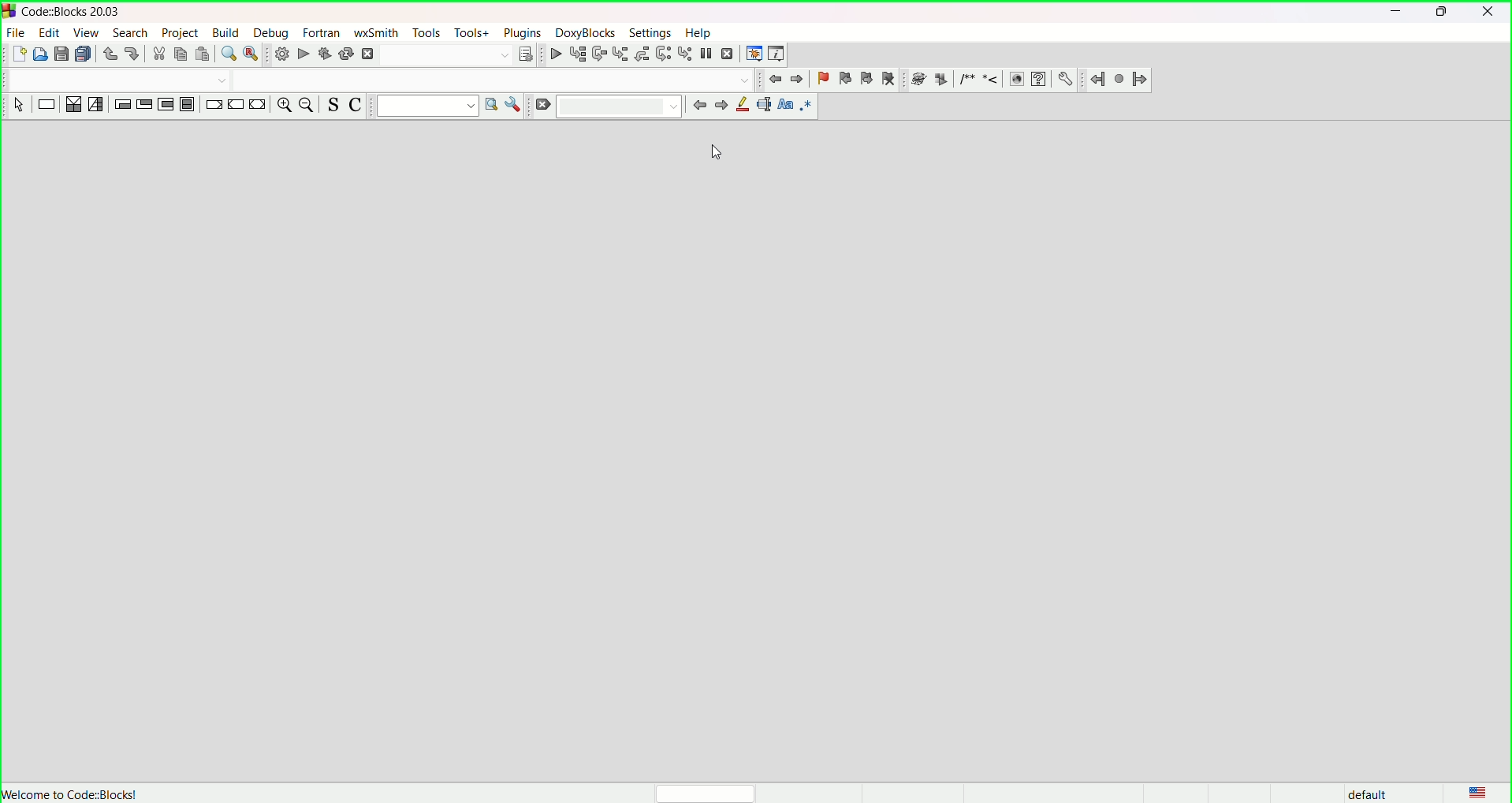  Describe the element at coordinates (322, 32) in the screenshot. I see `fortran` at that location.